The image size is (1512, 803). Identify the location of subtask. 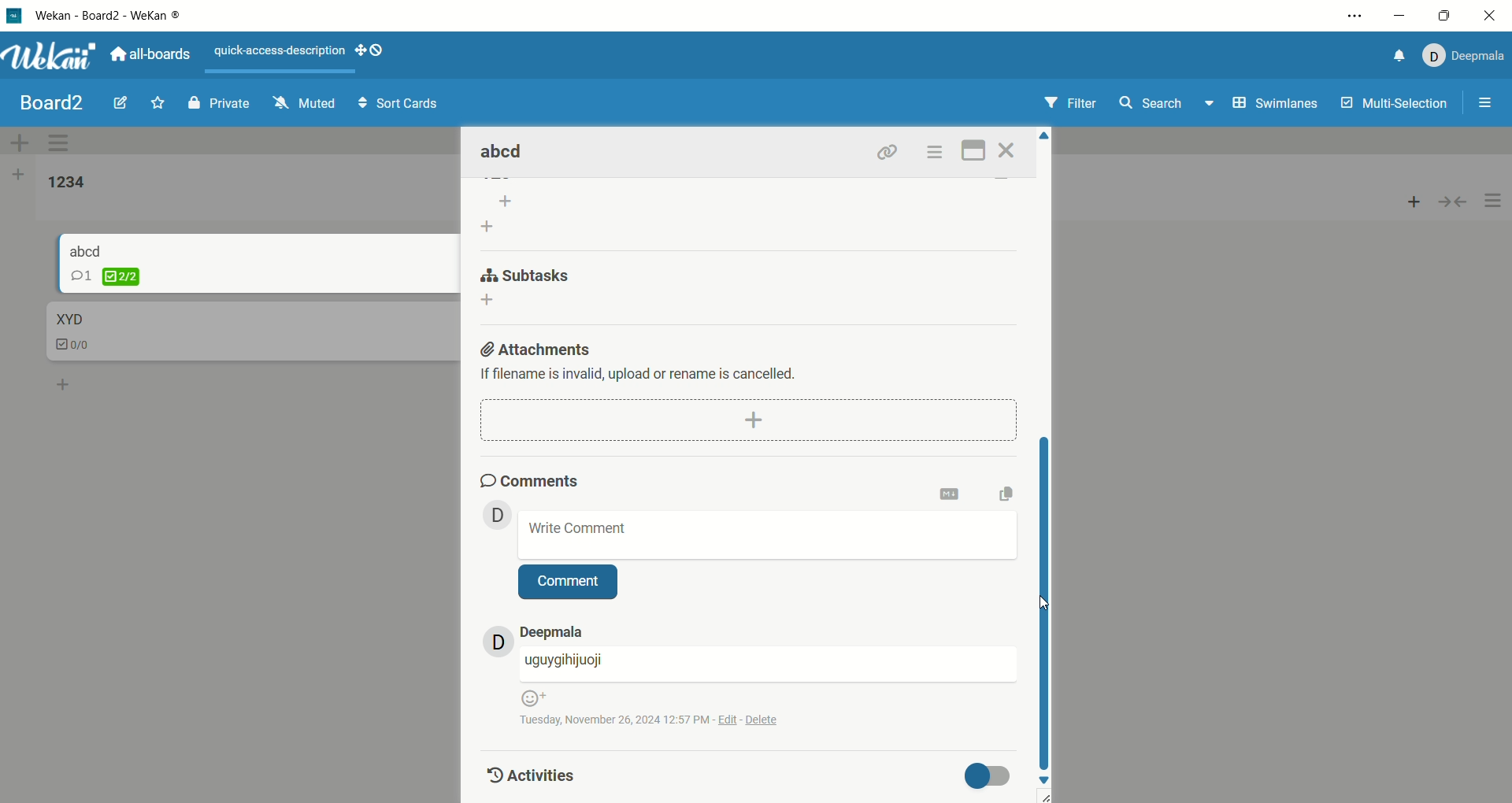
(528, 273).